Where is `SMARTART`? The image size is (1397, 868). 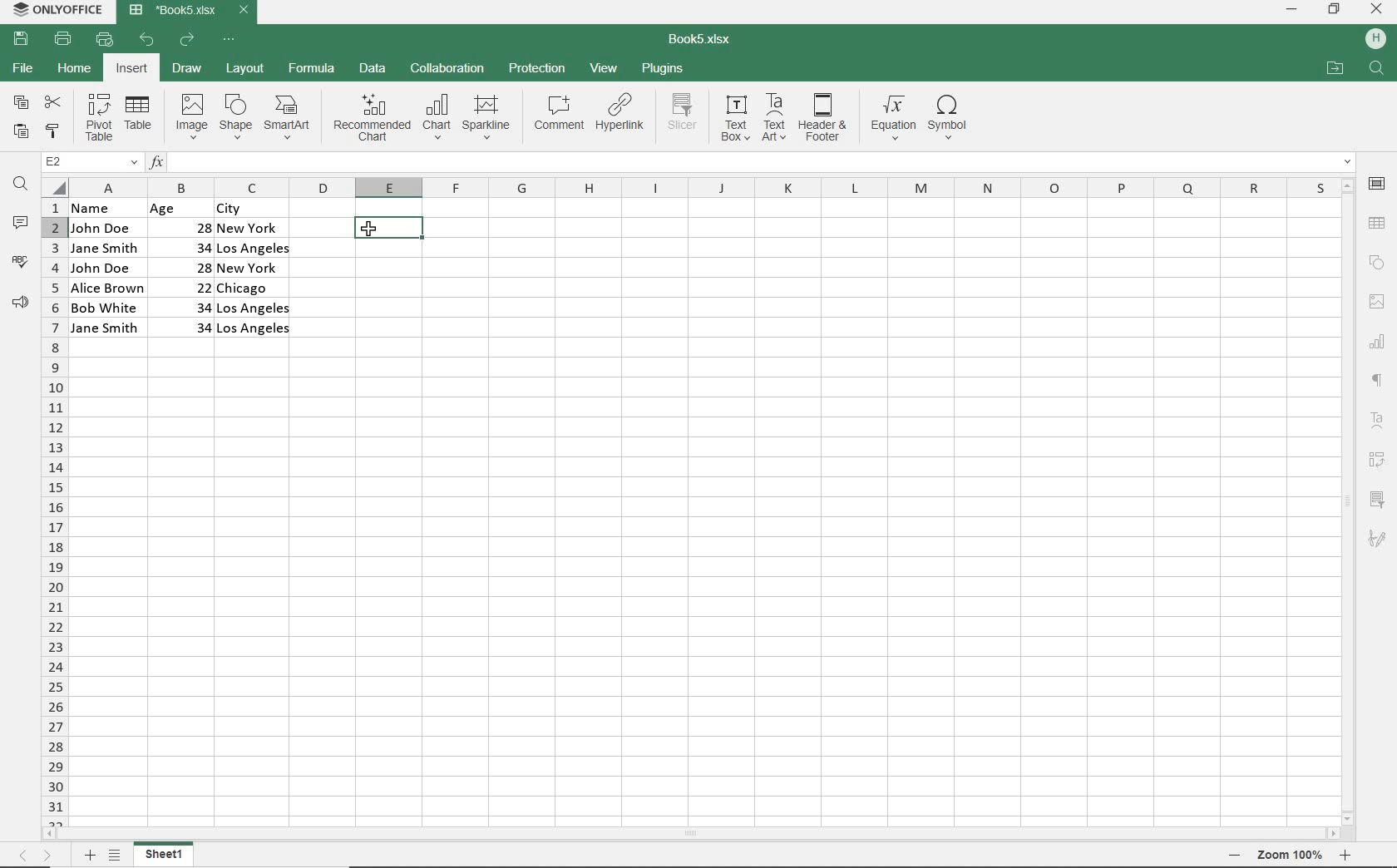 SMARTART is located at coordinates (289, 117).